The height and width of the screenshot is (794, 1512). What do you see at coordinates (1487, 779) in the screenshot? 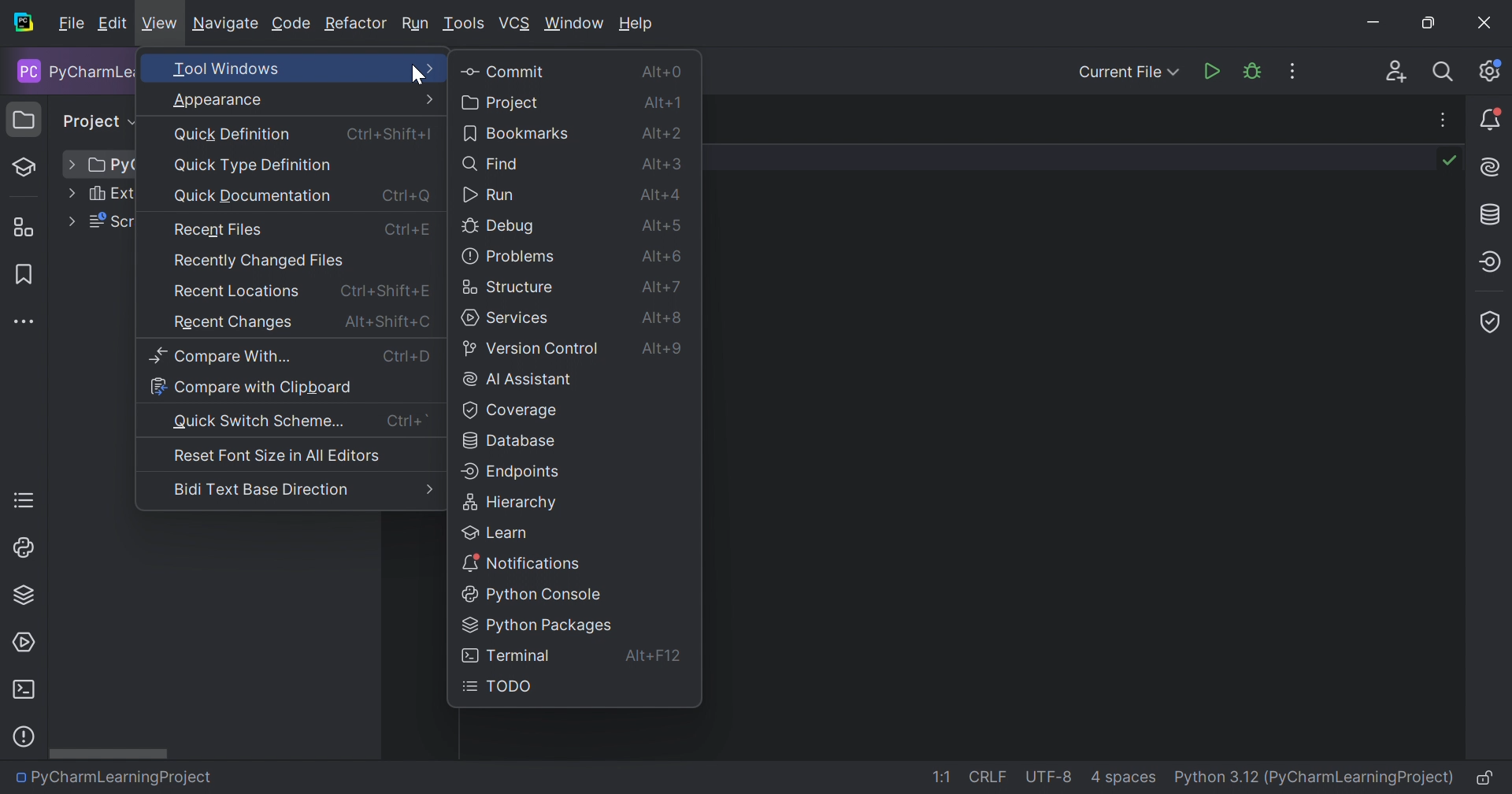
I see `Make file read-only` at bounding box center [1487, 779].